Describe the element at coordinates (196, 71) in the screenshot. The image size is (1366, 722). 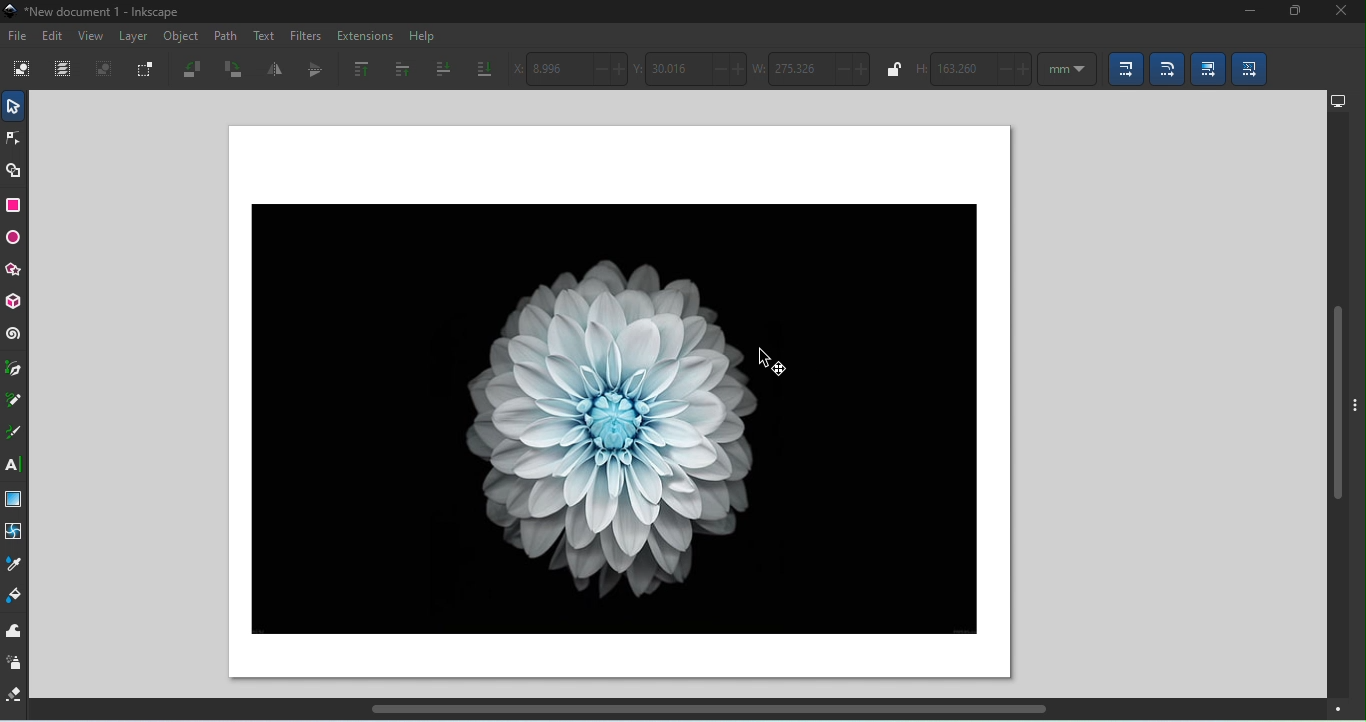
I see `Object rotate 90 CCW` at that location.